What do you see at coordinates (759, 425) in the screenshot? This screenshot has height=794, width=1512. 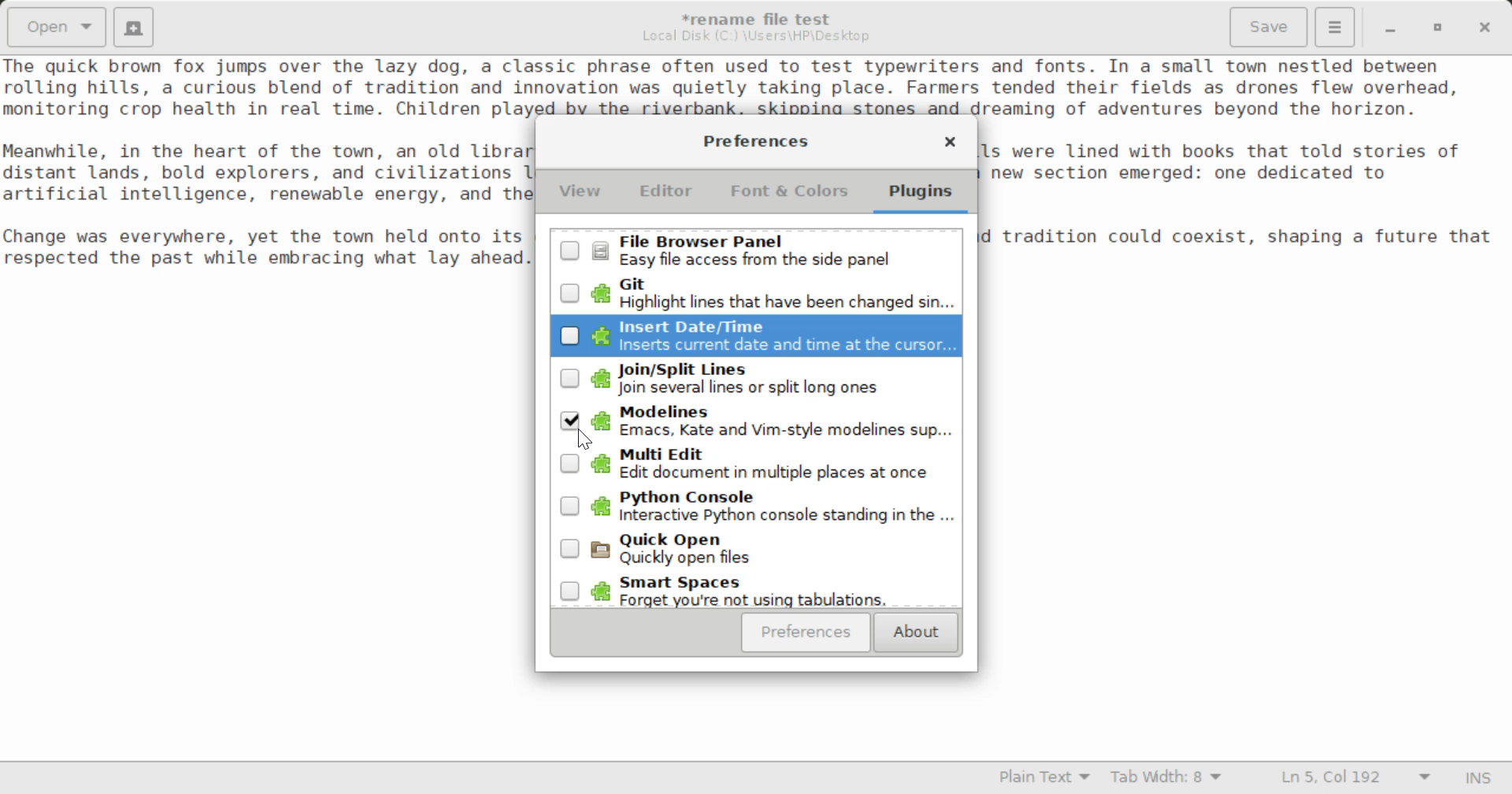 I see `Selected Modelines Plugin` at bounding box center [759, 425].